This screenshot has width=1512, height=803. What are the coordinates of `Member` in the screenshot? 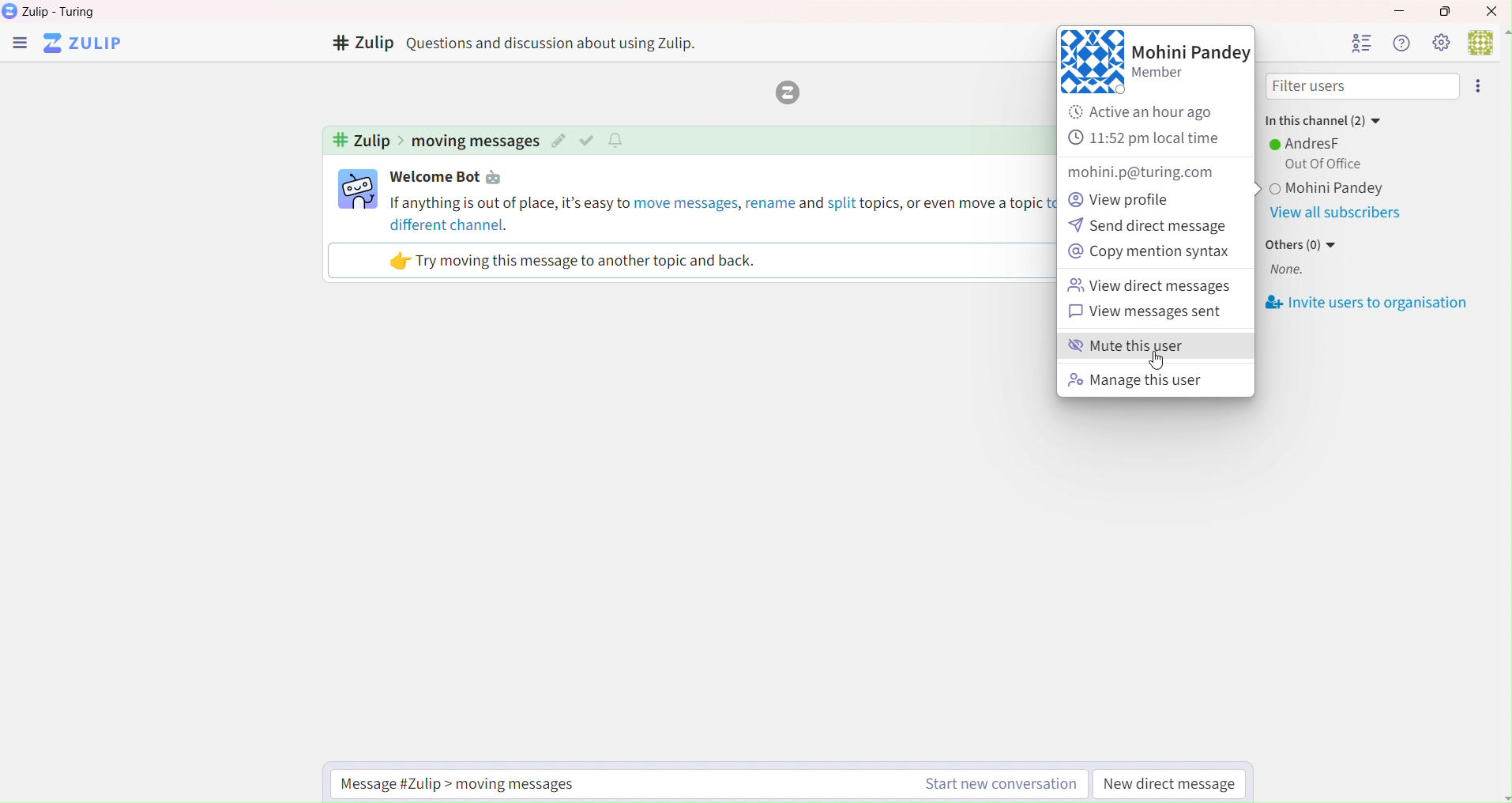 It's located at (1167, 76).